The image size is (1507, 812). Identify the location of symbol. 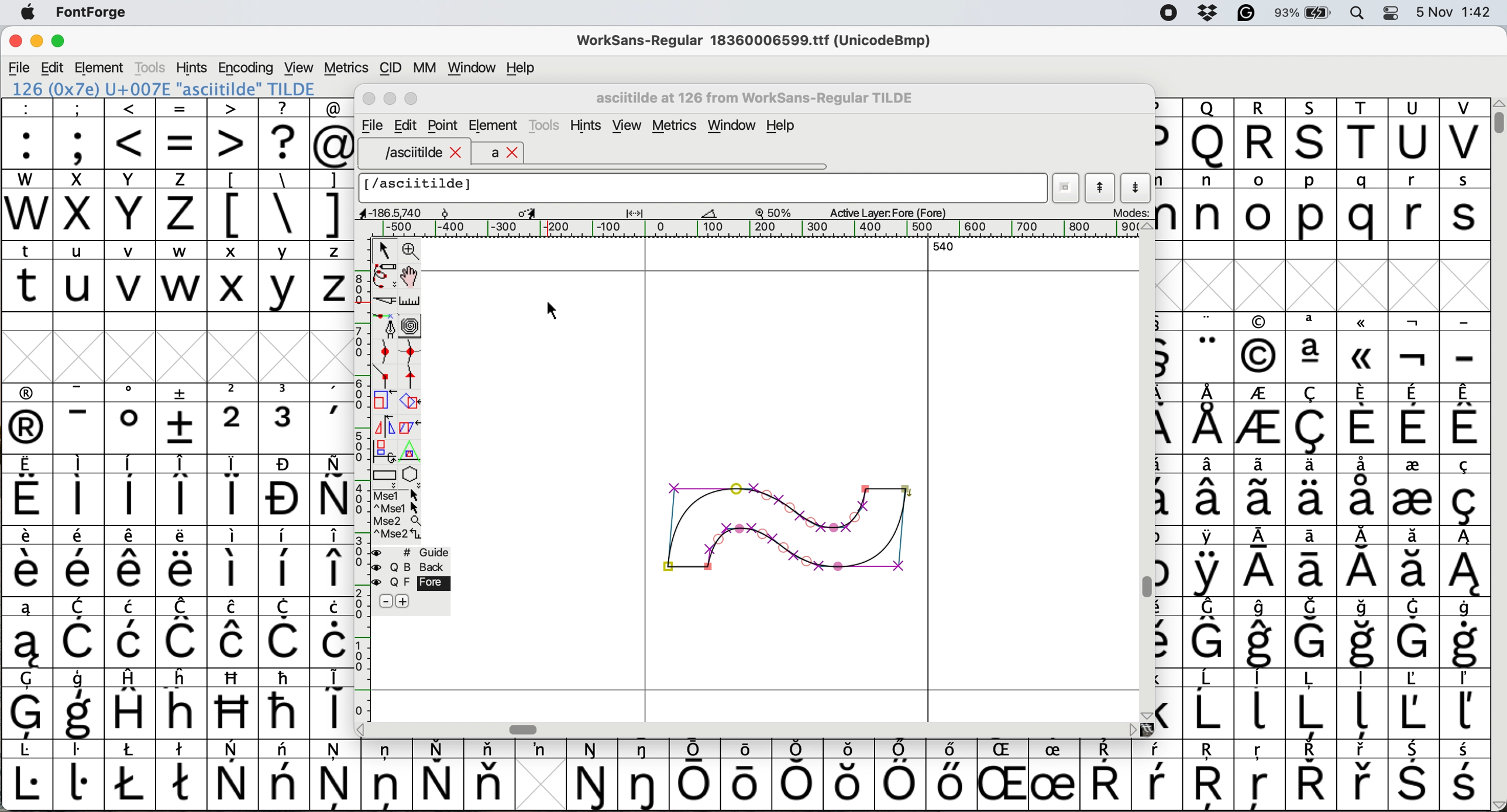
(28, 419).